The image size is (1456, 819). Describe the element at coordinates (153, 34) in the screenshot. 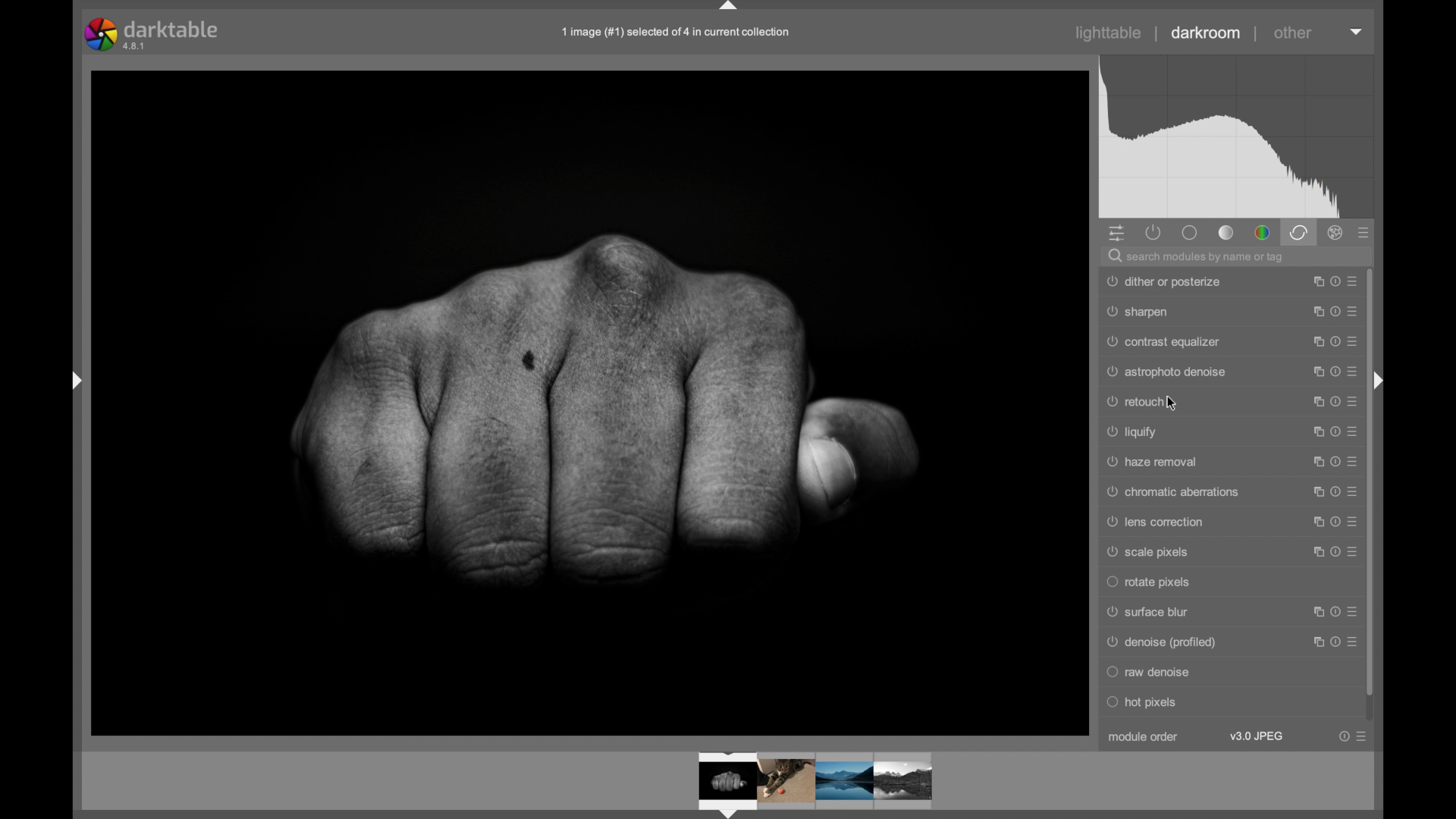

I see `darktable` at that location.